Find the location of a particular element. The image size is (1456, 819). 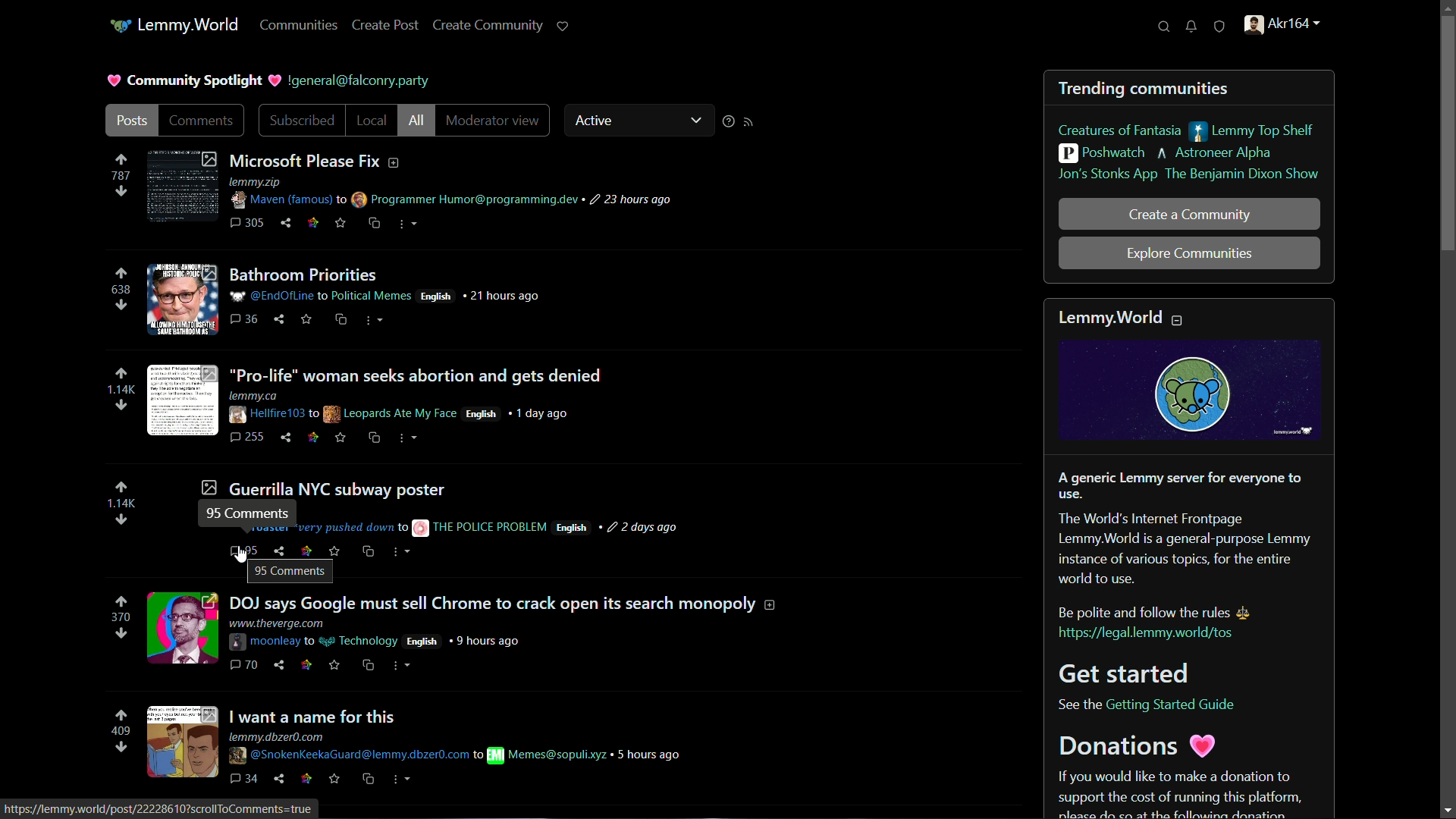

upvote is located at coordinates (121, 488).